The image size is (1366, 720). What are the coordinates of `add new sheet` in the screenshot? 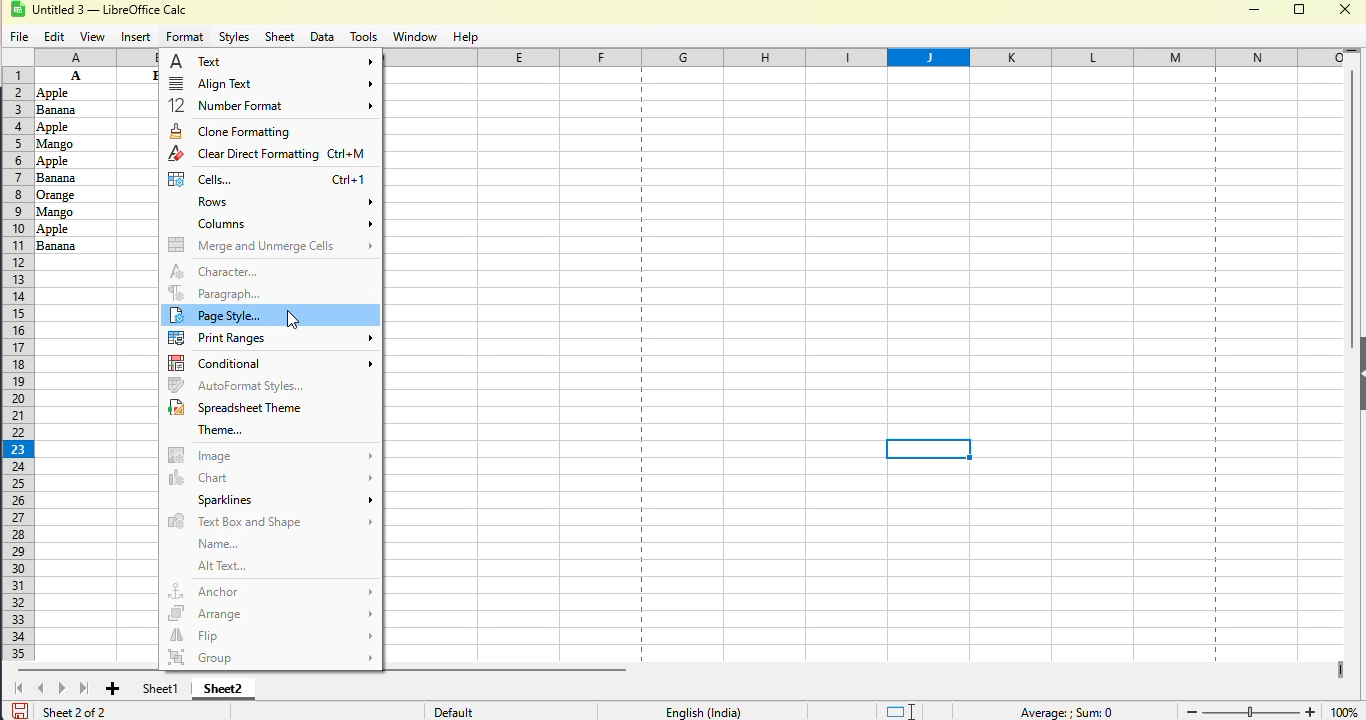 It's located at (114, 689).